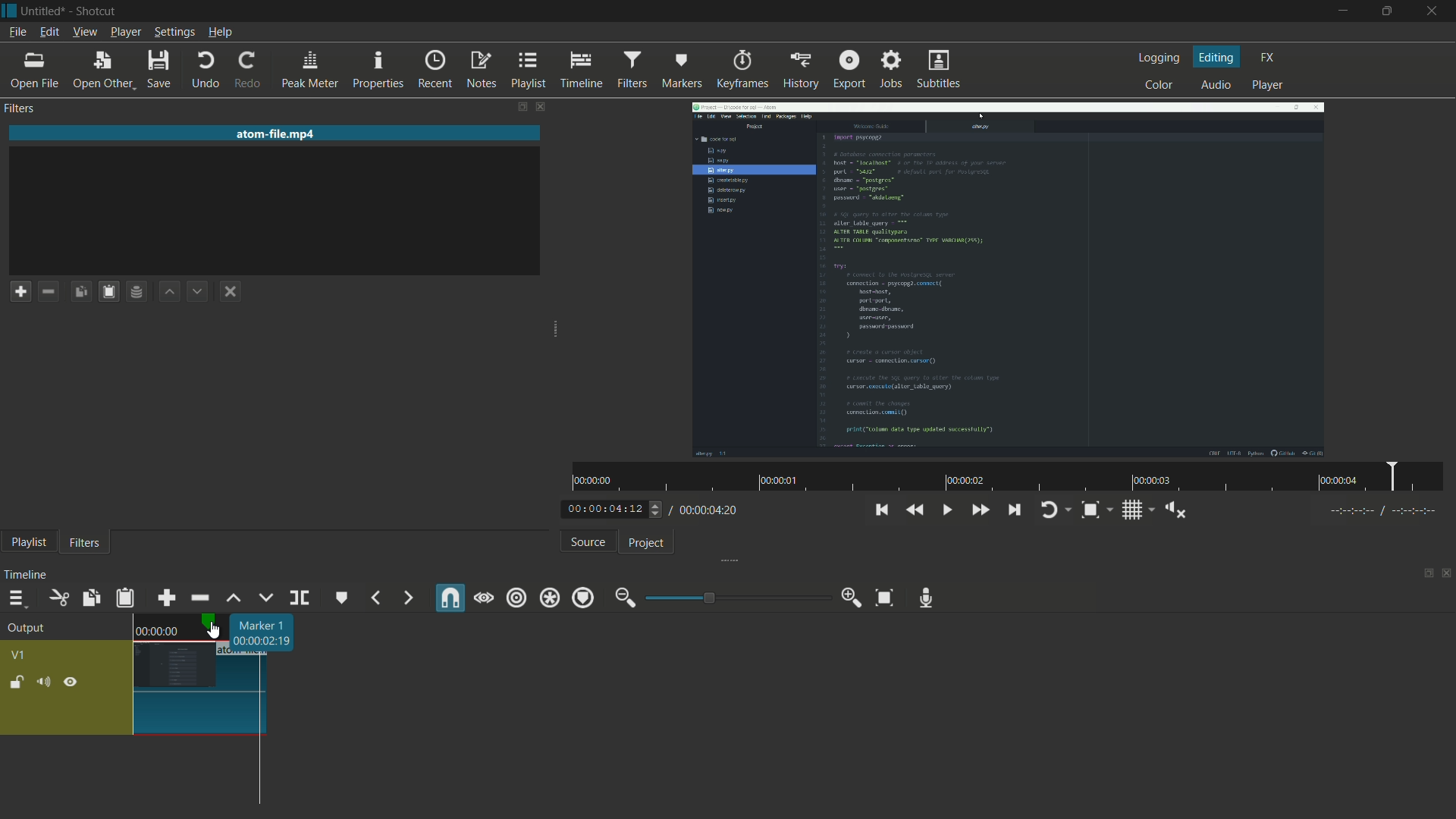 The image size is (1456, 819). Describe the element at coordinates (1161, 86) in the screenshot. I see `color` at that location.